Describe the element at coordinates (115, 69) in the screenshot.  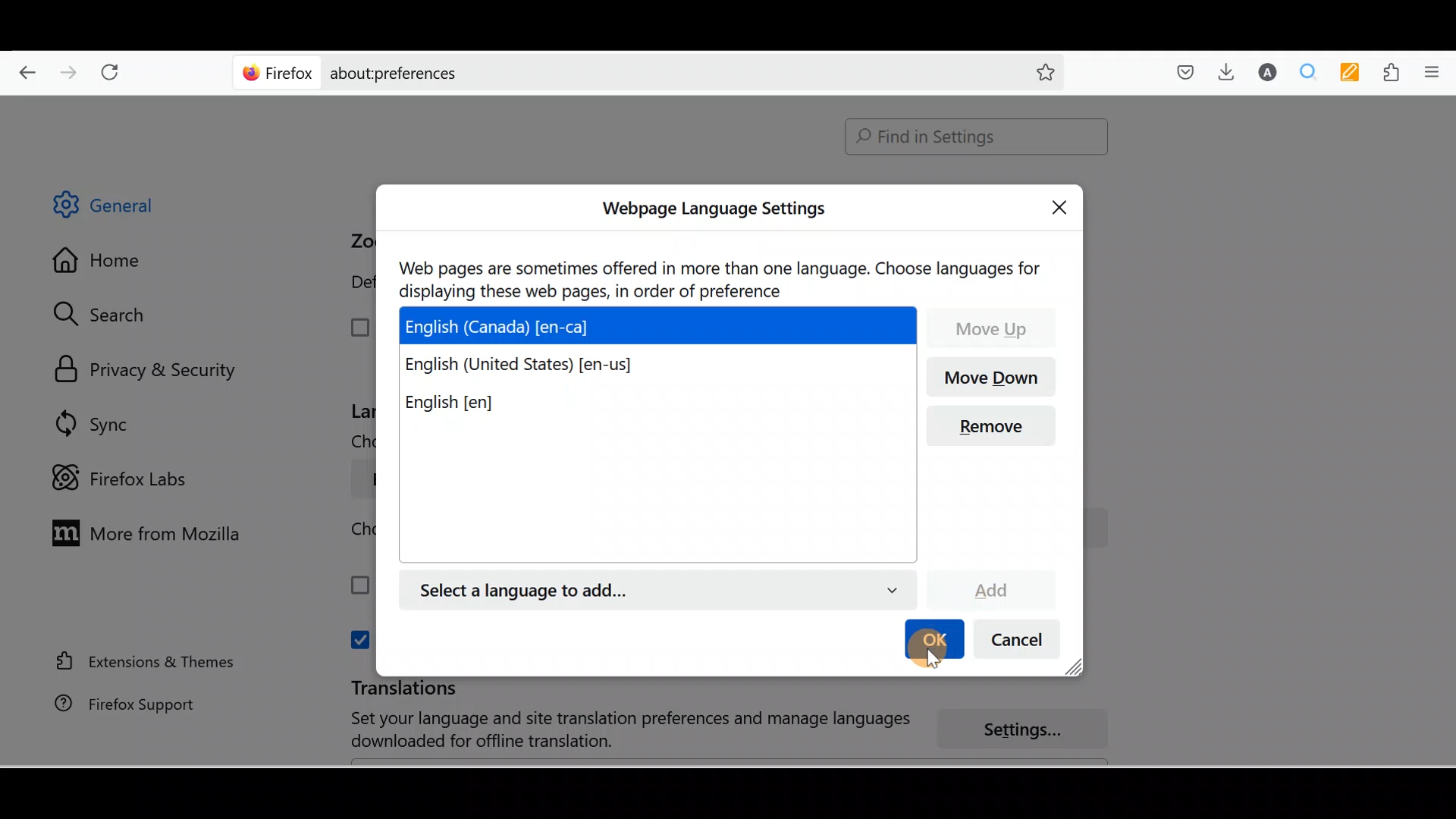
I see `Reload current page` at that location.